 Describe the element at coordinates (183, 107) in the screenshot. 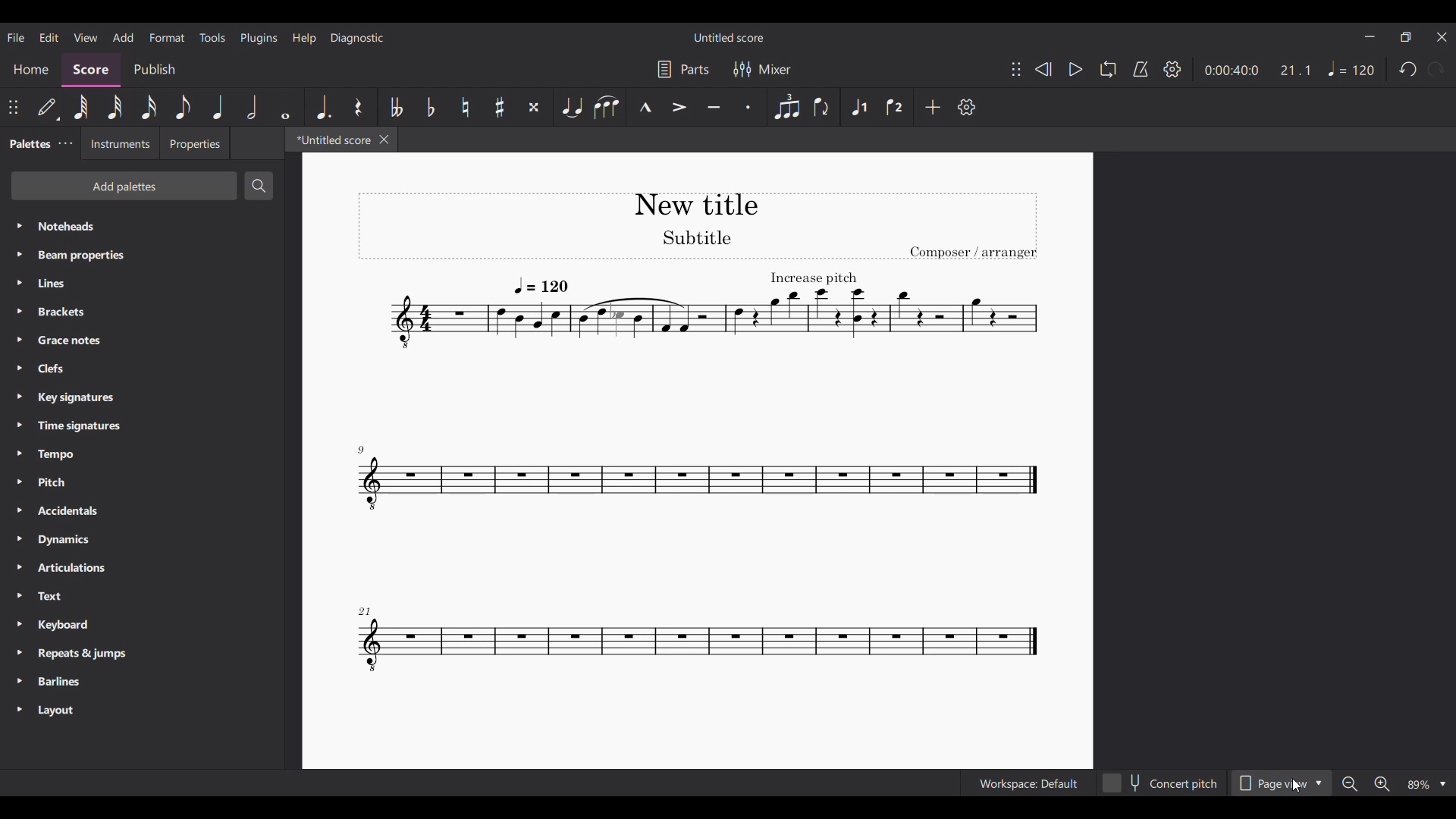

I see `8th note` at that location.